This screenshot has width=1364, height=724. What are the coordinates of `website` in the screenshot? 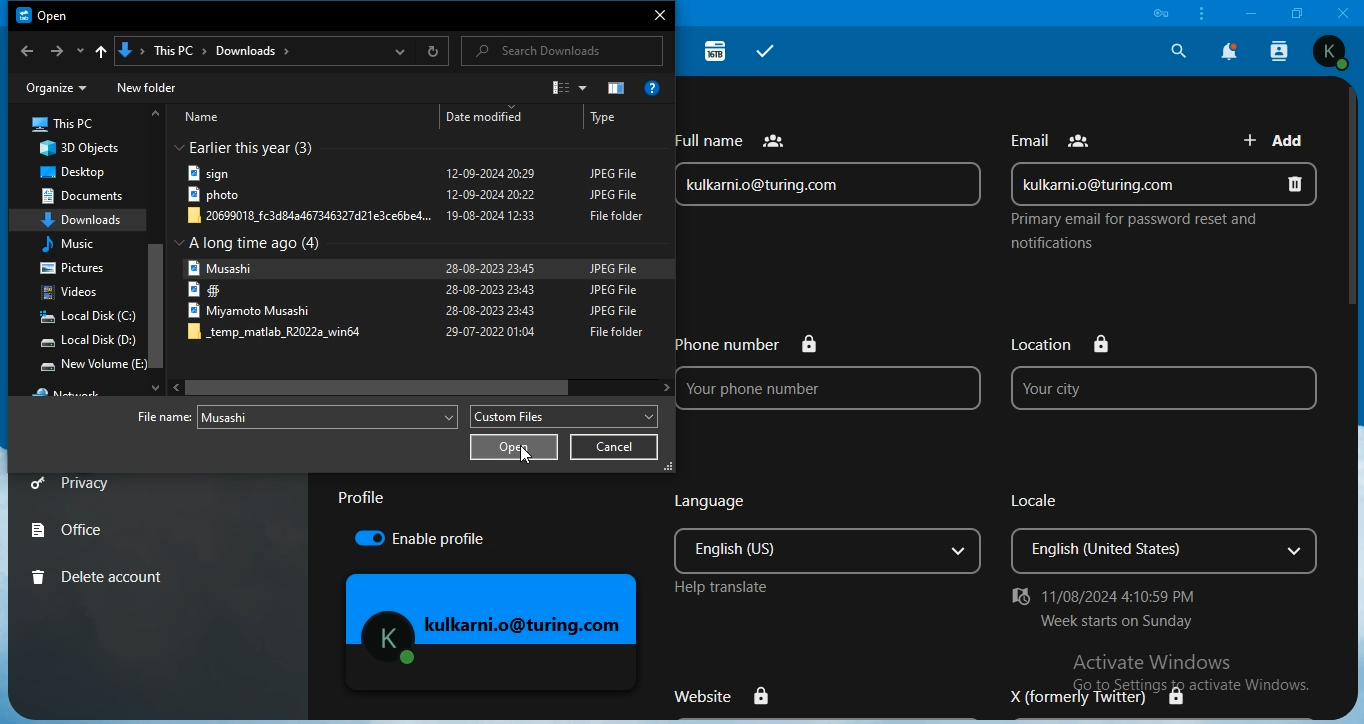 It's located at (731, 695).